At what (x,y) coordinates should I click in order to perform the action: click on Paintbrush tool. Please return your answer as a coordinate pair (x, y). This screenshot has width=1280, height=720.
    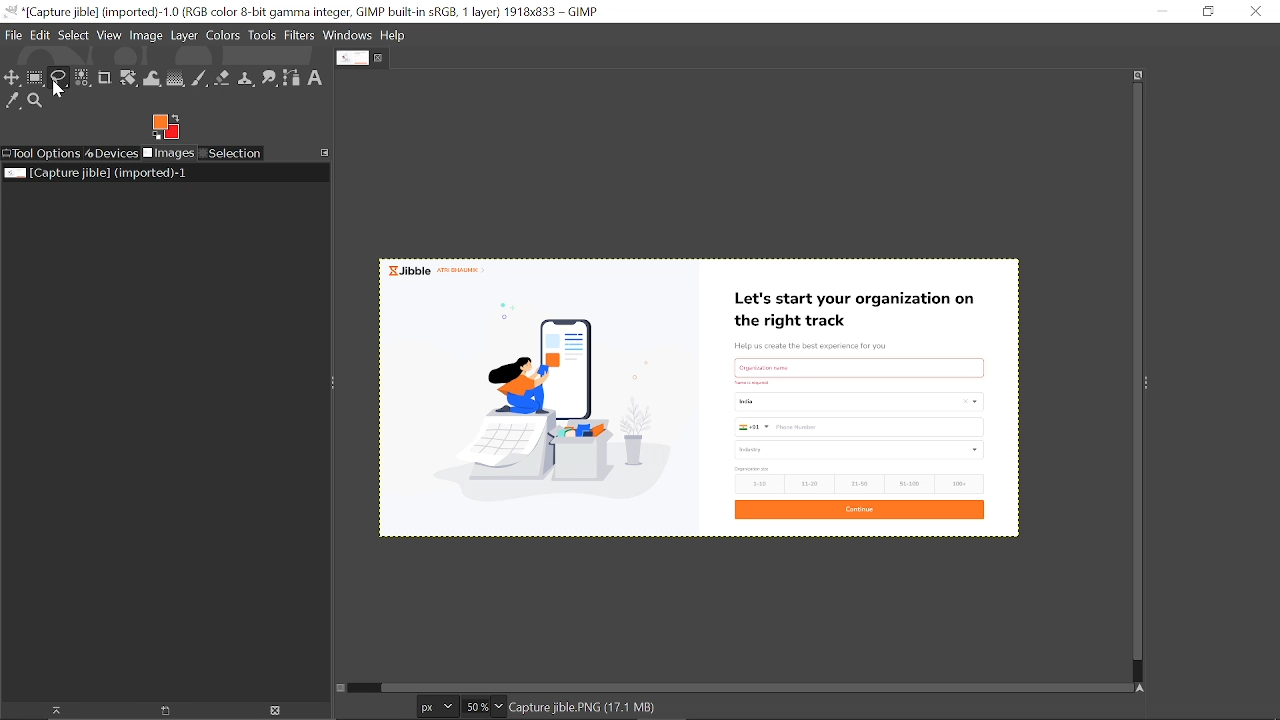
    Looking at the image, I should click on (200, 79).